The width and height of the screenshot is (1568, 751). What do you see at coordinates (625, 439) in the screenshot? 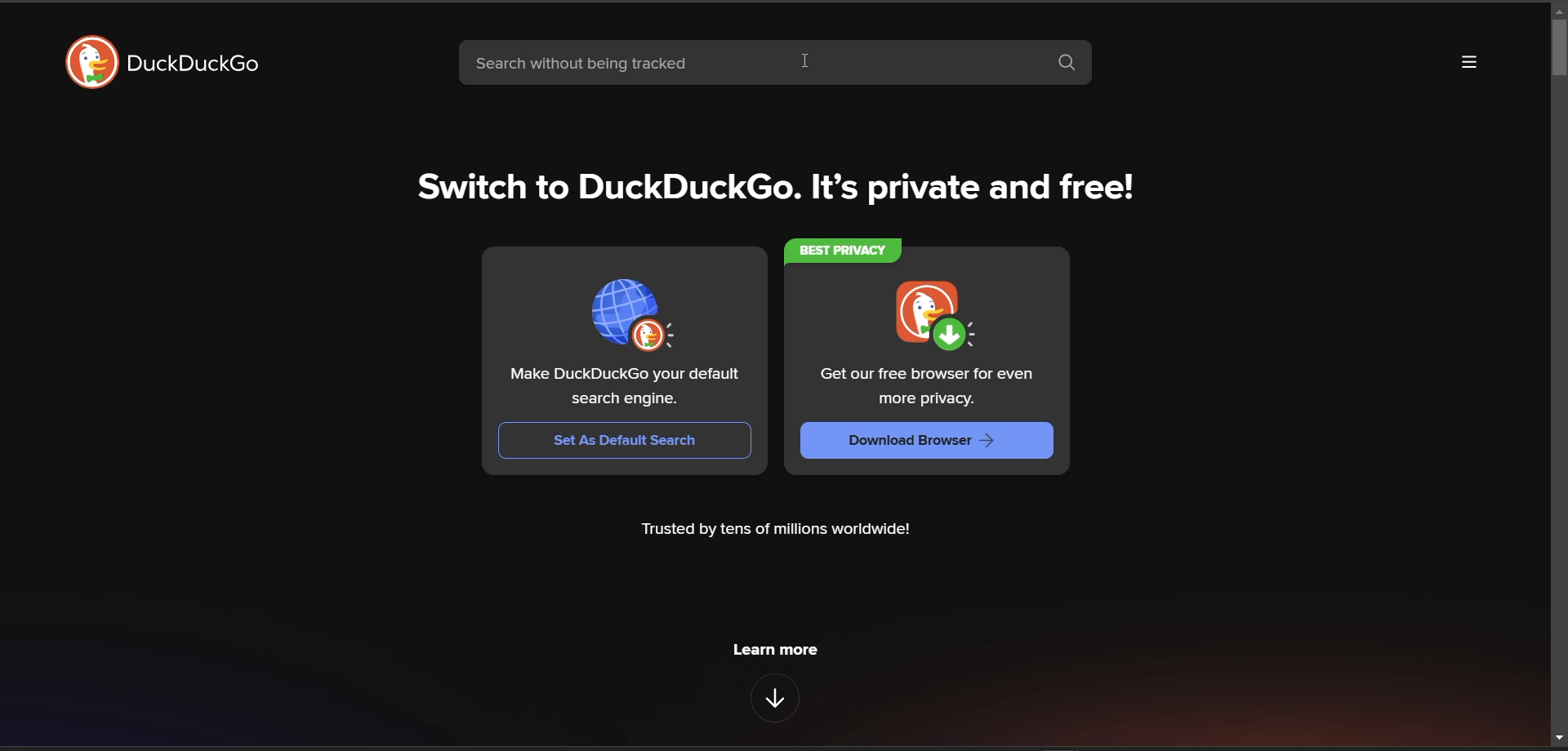
I see `set as default search` at bounding box center [625, 439].